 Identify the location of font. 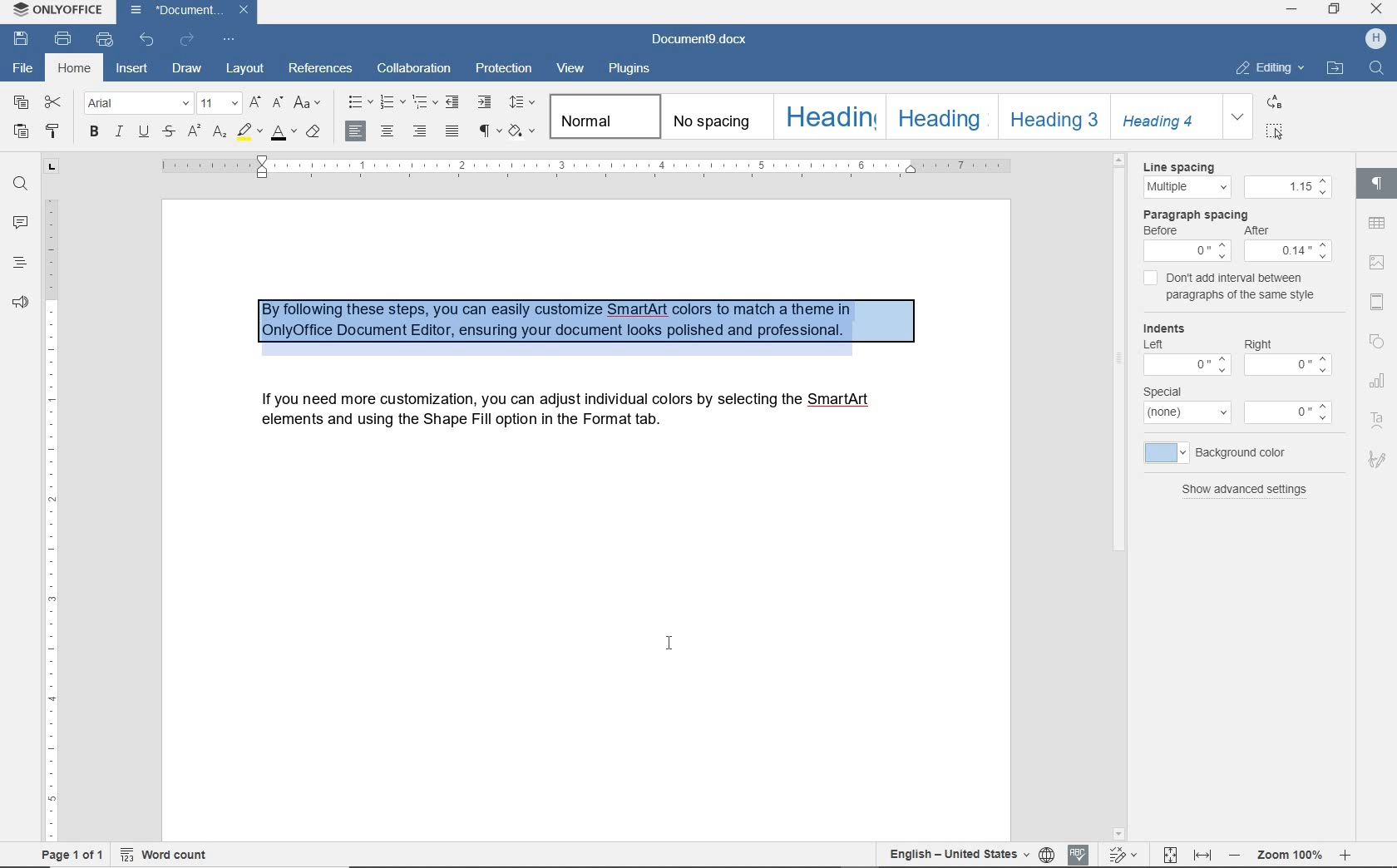
(137, 102).